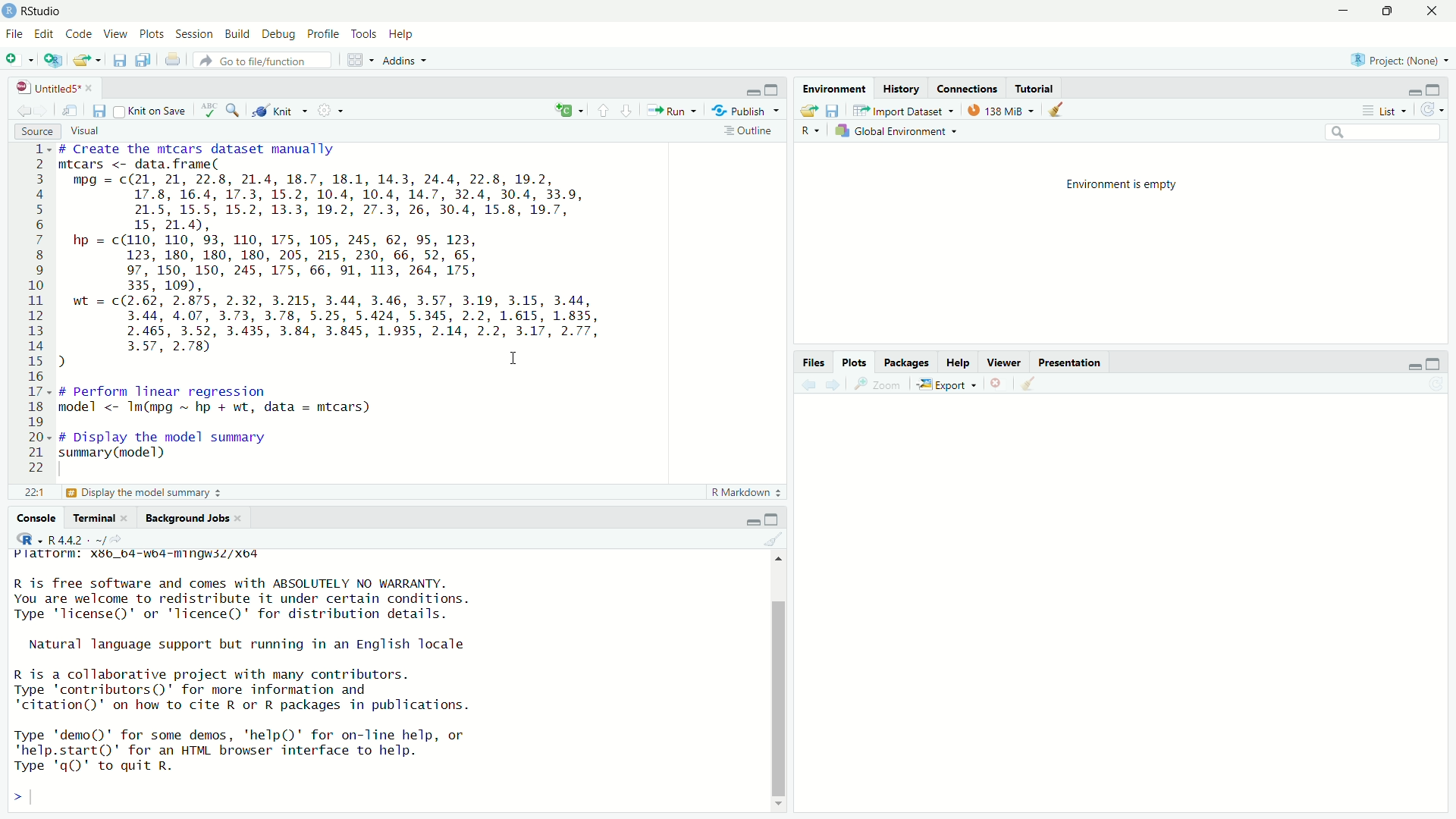  What do you see at coordinates (833, 89) in the screenshot?
I see `Environment` at bounding box center [833, 89].